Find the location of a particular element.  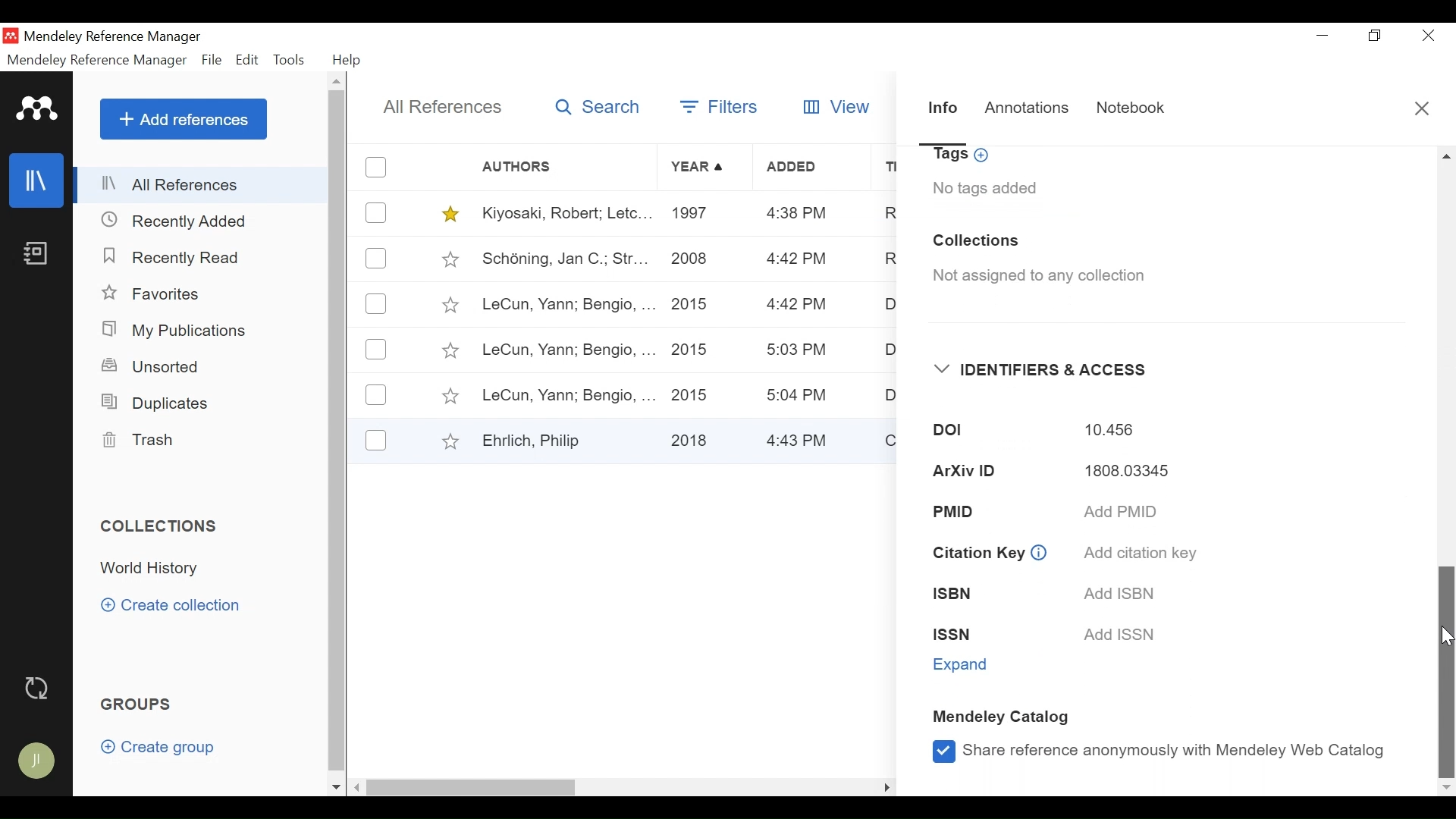

Not assigned to any collection is located at coordinates (1033, 277).